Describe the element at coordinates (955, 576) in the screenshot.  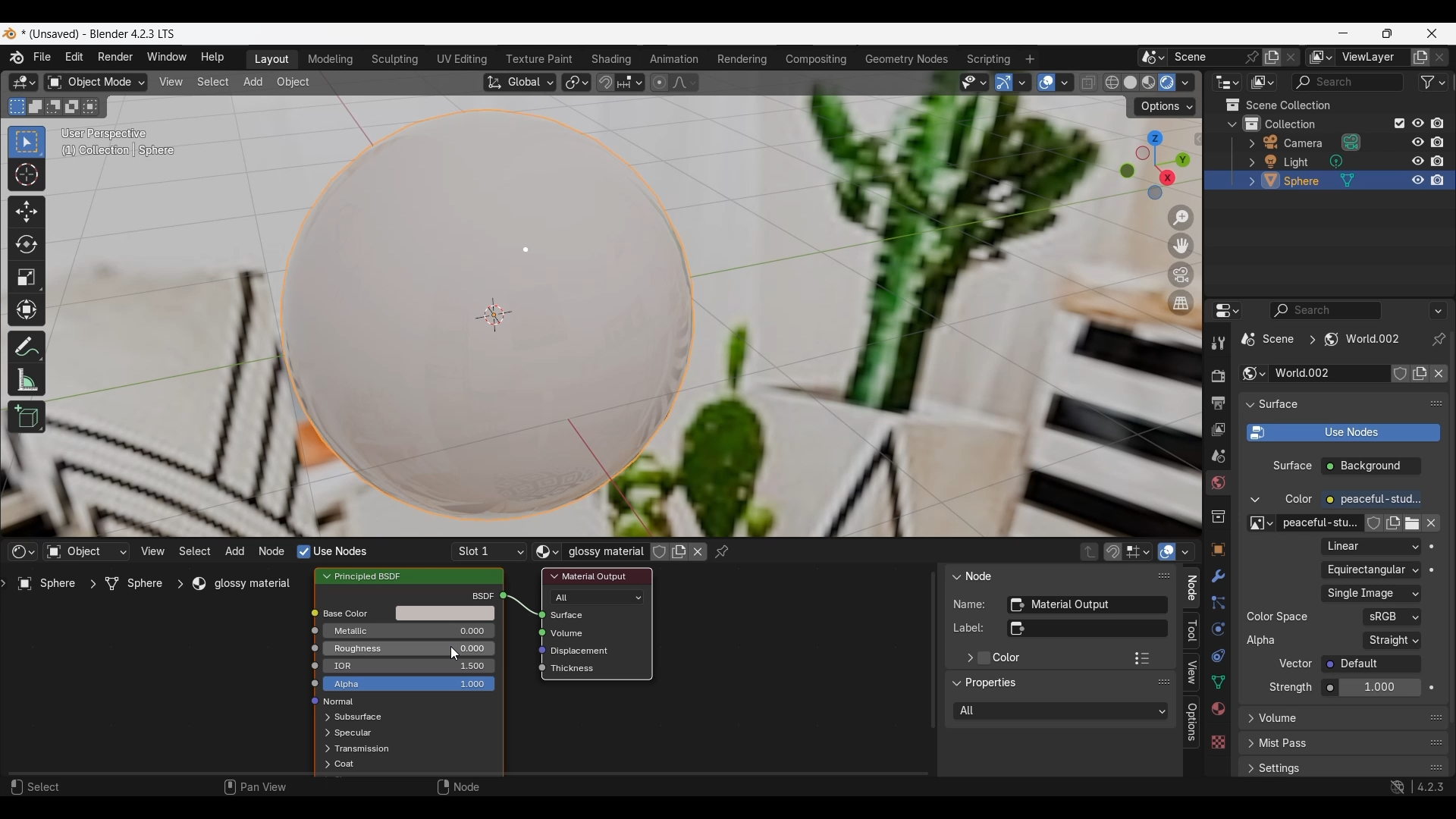
I see `Collapse` at that location.